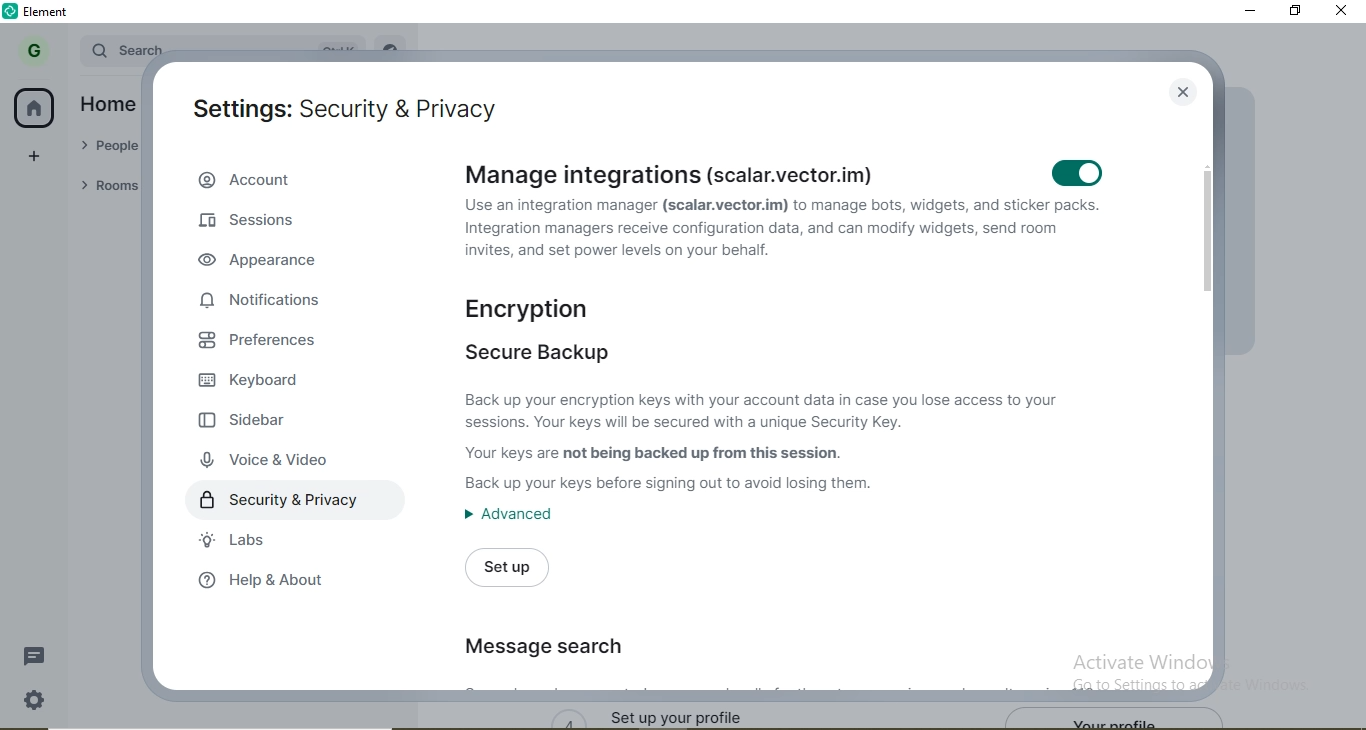 The height and width of the screenshot is (730, 1366). What do you see at coordinates (542, 650) in the screenshot?
I see `message search` at bounding box center [542, 650].